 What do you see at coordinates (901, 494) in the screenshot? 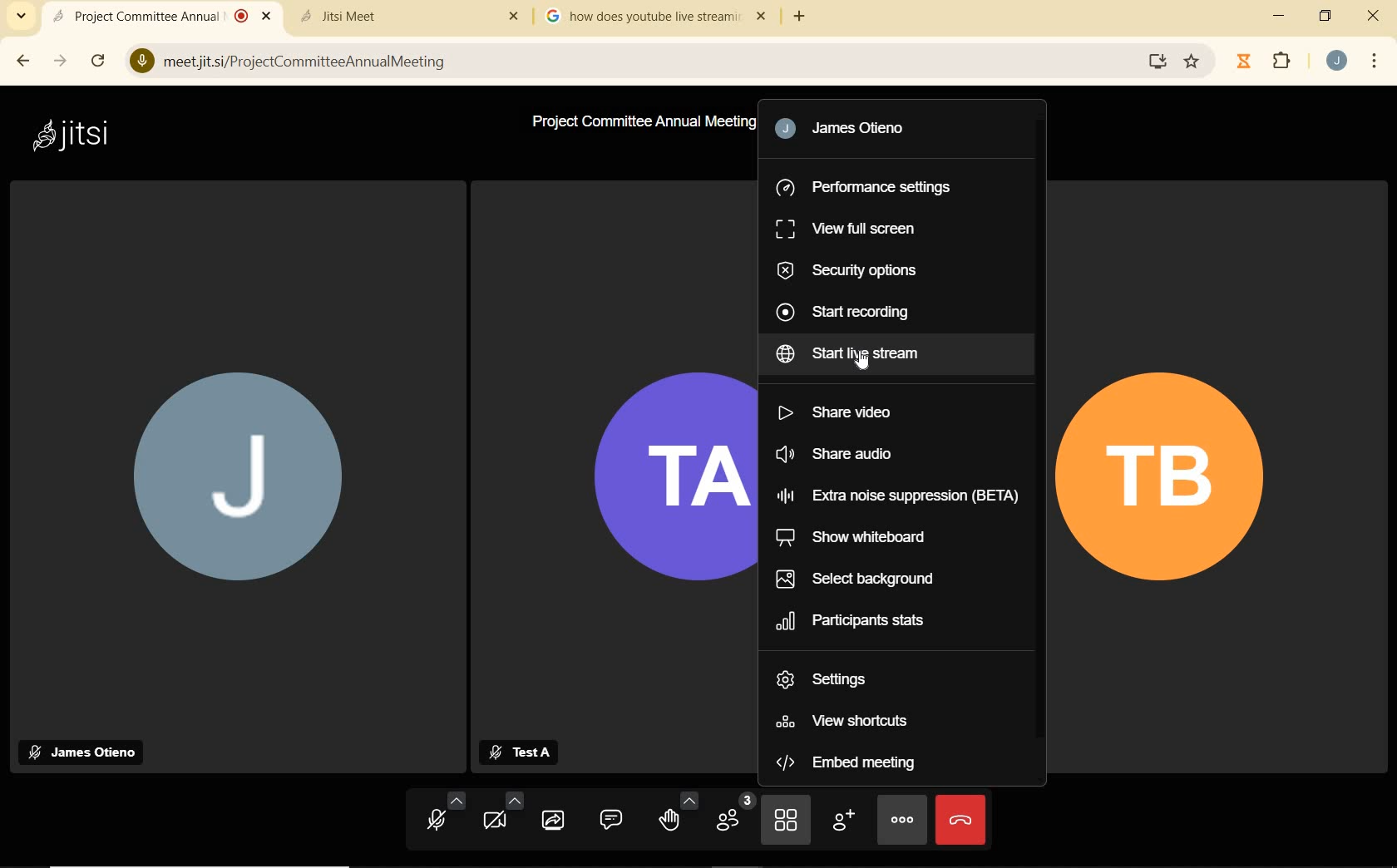
I see `extra noise suppression (BETA)` at bounding box center [901, 494].